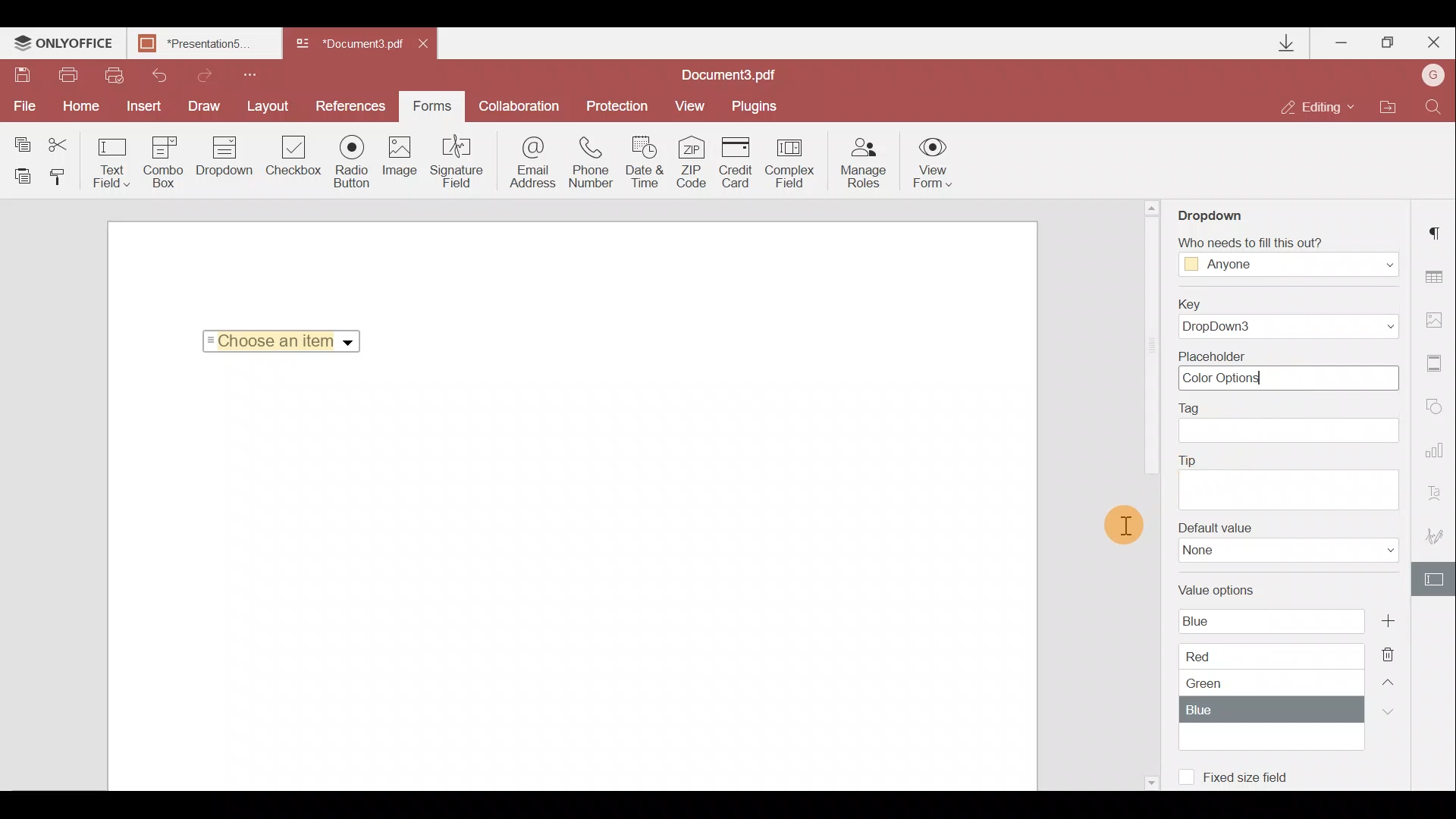  Describe the element at coordinates (115, 75) in the screenshot. I see `Quick print` at that location.